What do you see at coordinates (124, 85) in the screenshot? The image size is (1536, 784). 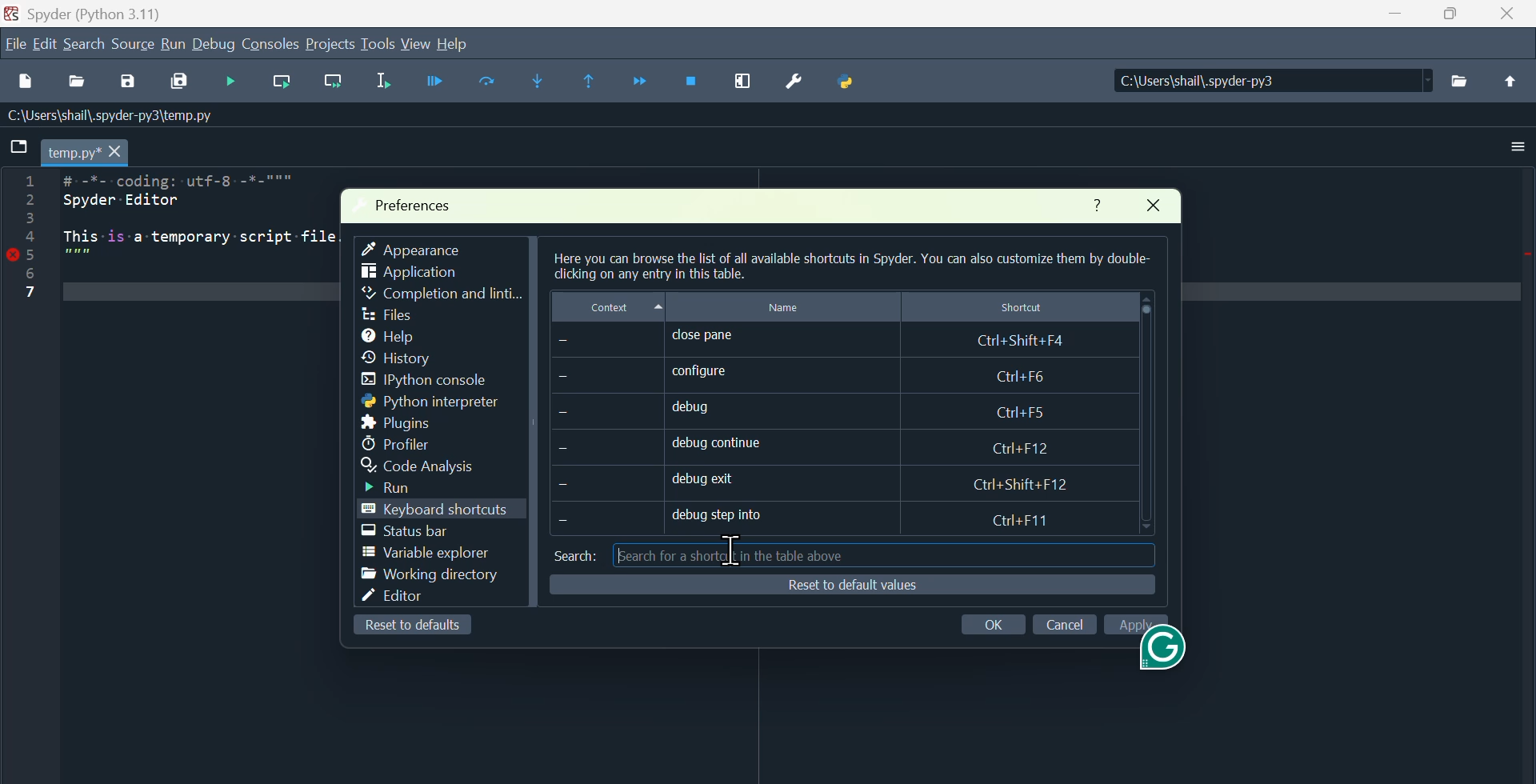 I see `Save as` at bounding box center [124, 85].